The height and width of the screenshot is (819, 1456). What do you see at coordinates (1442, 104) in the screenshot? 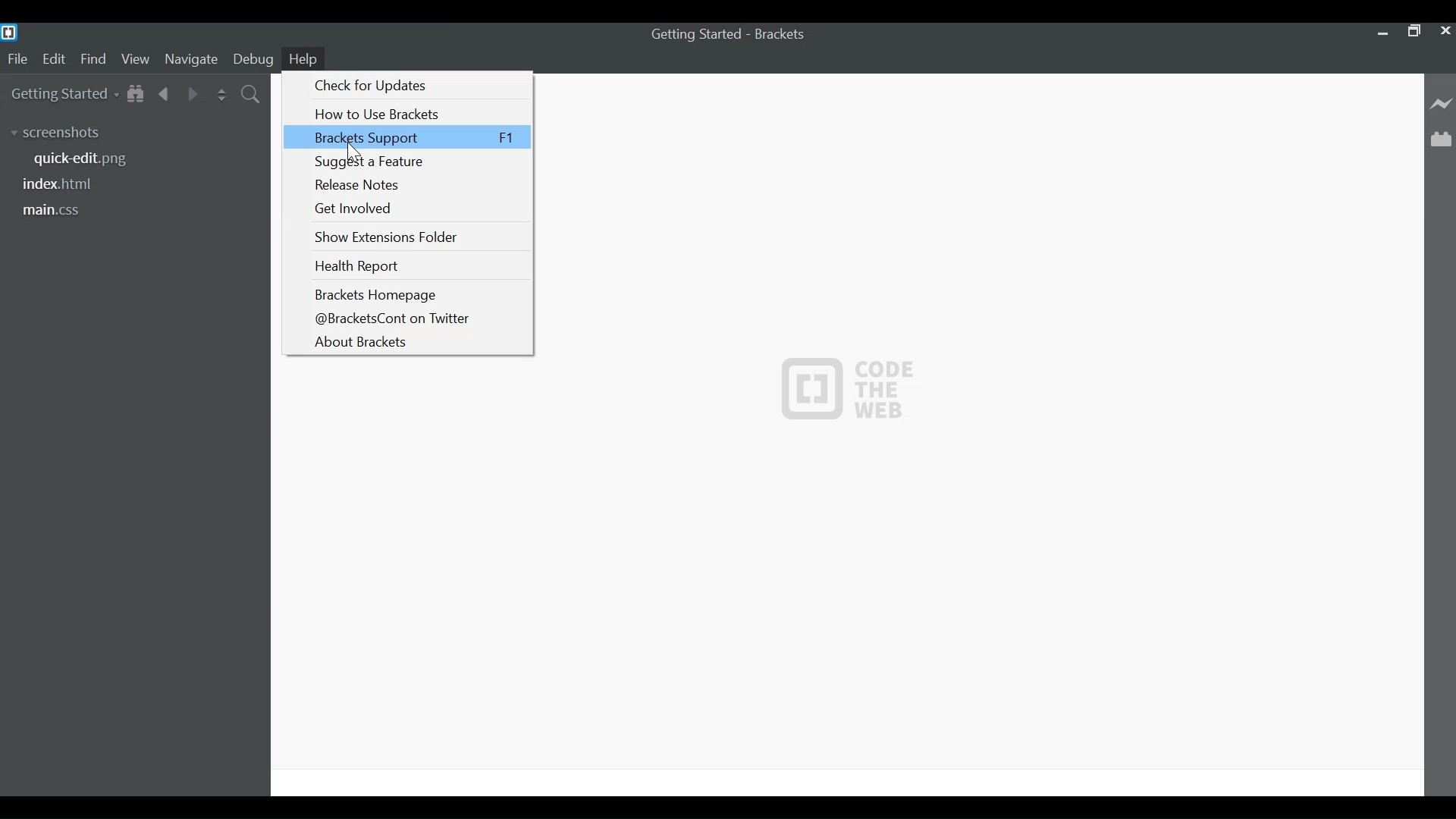
I see `Live Preview` at bounding box center [1442, 104].